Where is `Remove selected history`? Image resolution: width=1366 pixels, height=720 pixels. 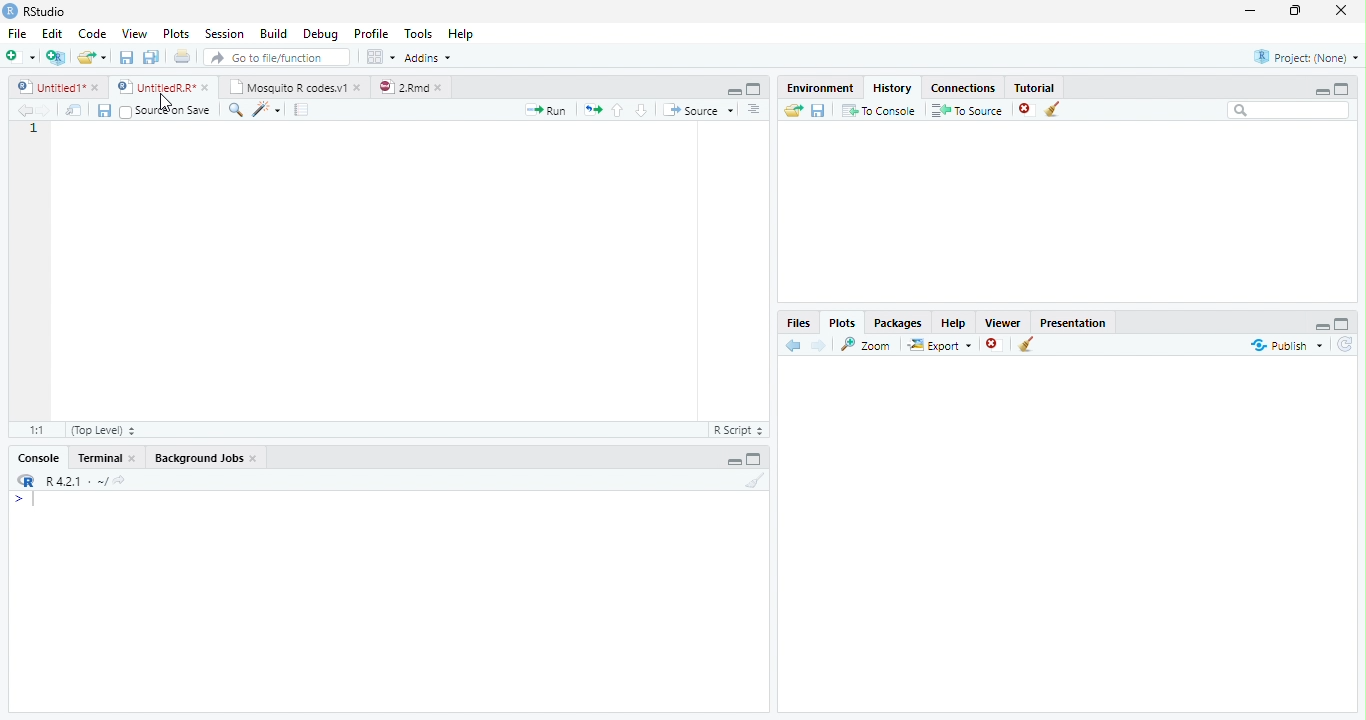
Remove selected history is located at coordinates (1025, 109).